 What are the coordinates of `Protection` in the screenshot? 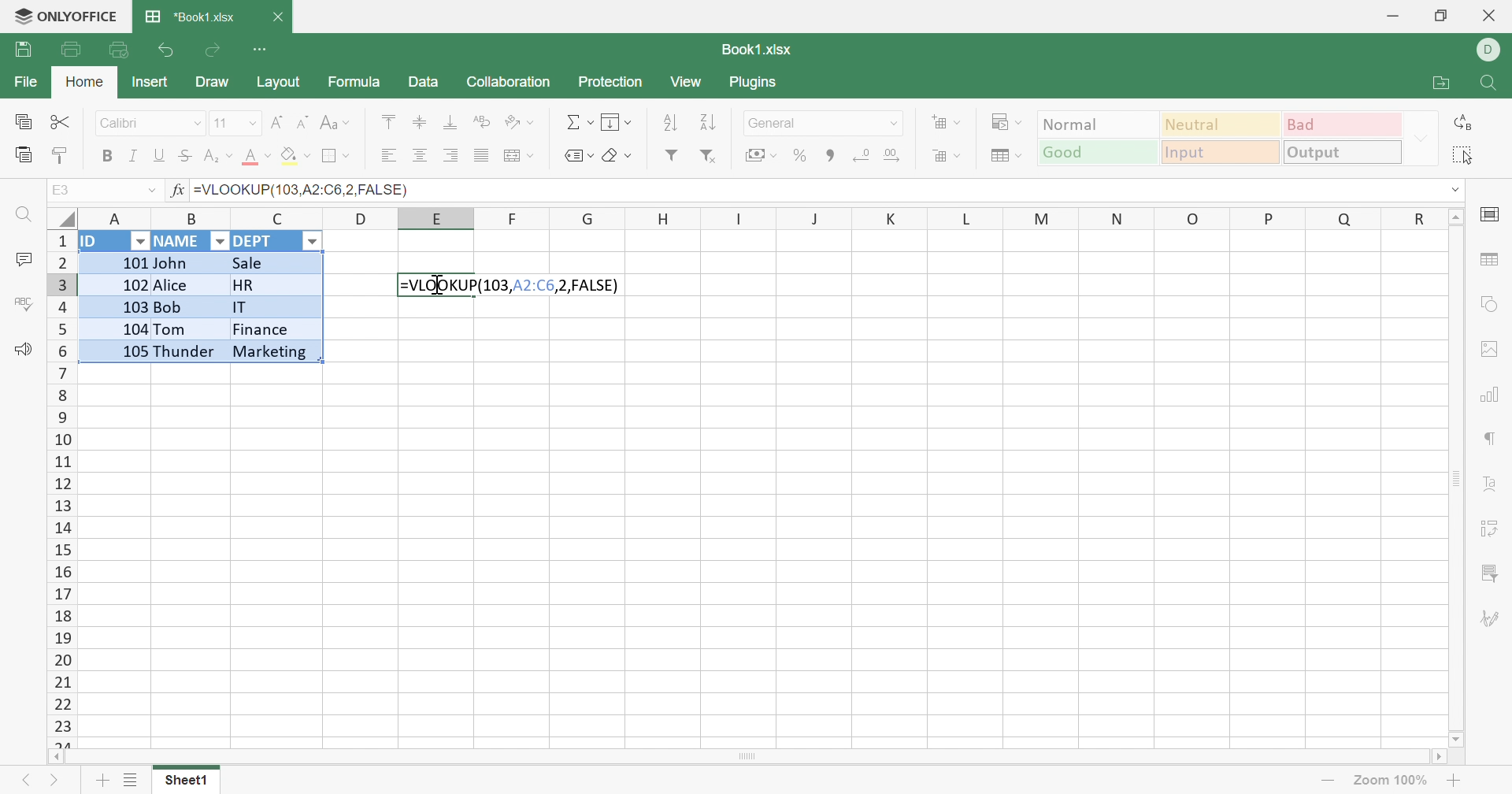 It's located at (613, 79).